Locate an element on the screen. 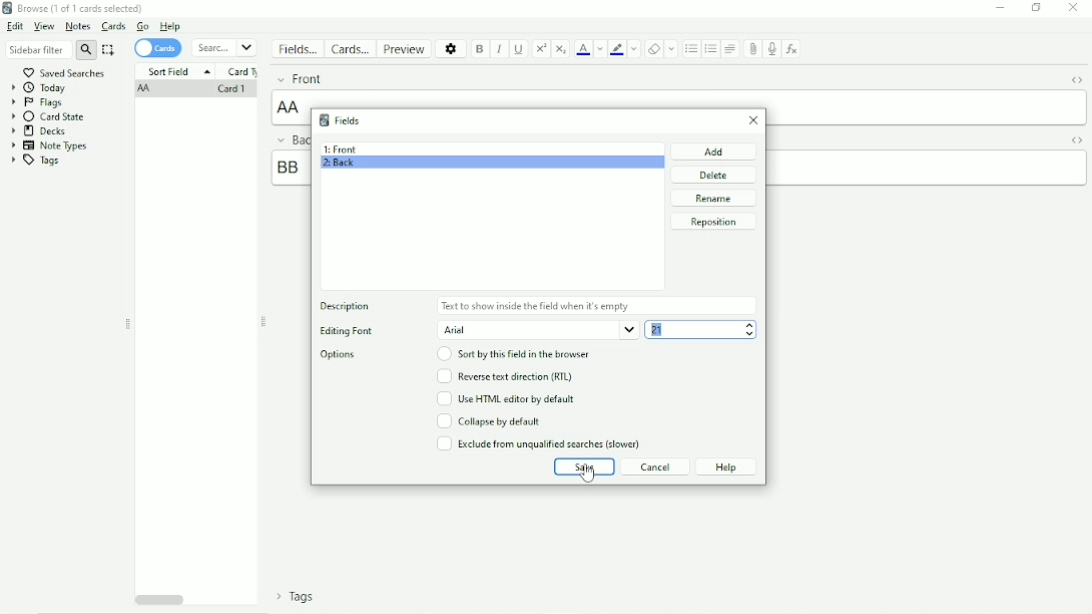  Front is located at coordinates (299, 78).